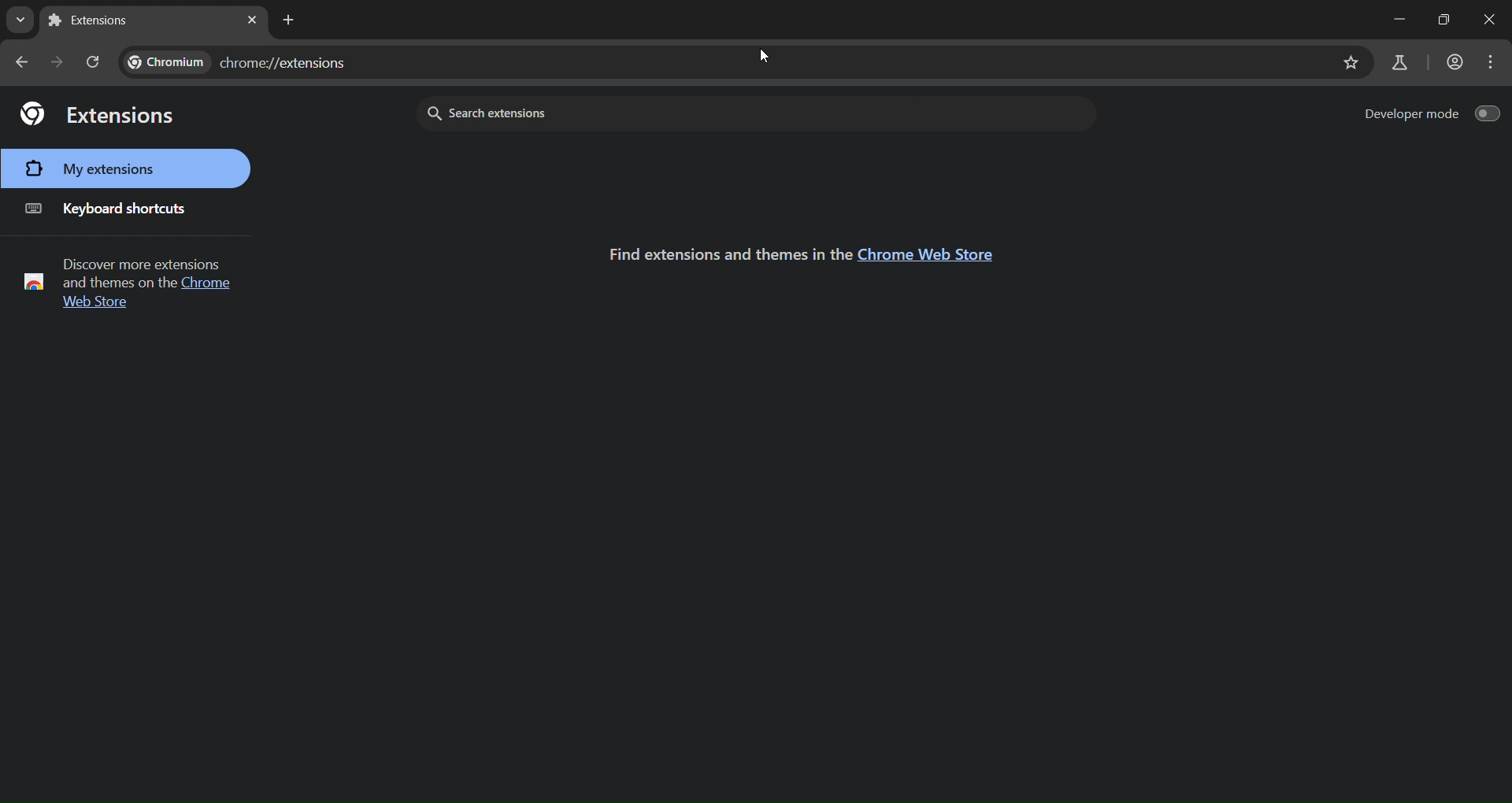 The height and width of the screenshot is (803, 1512). I want to click on search extensions, so click(599, 112).